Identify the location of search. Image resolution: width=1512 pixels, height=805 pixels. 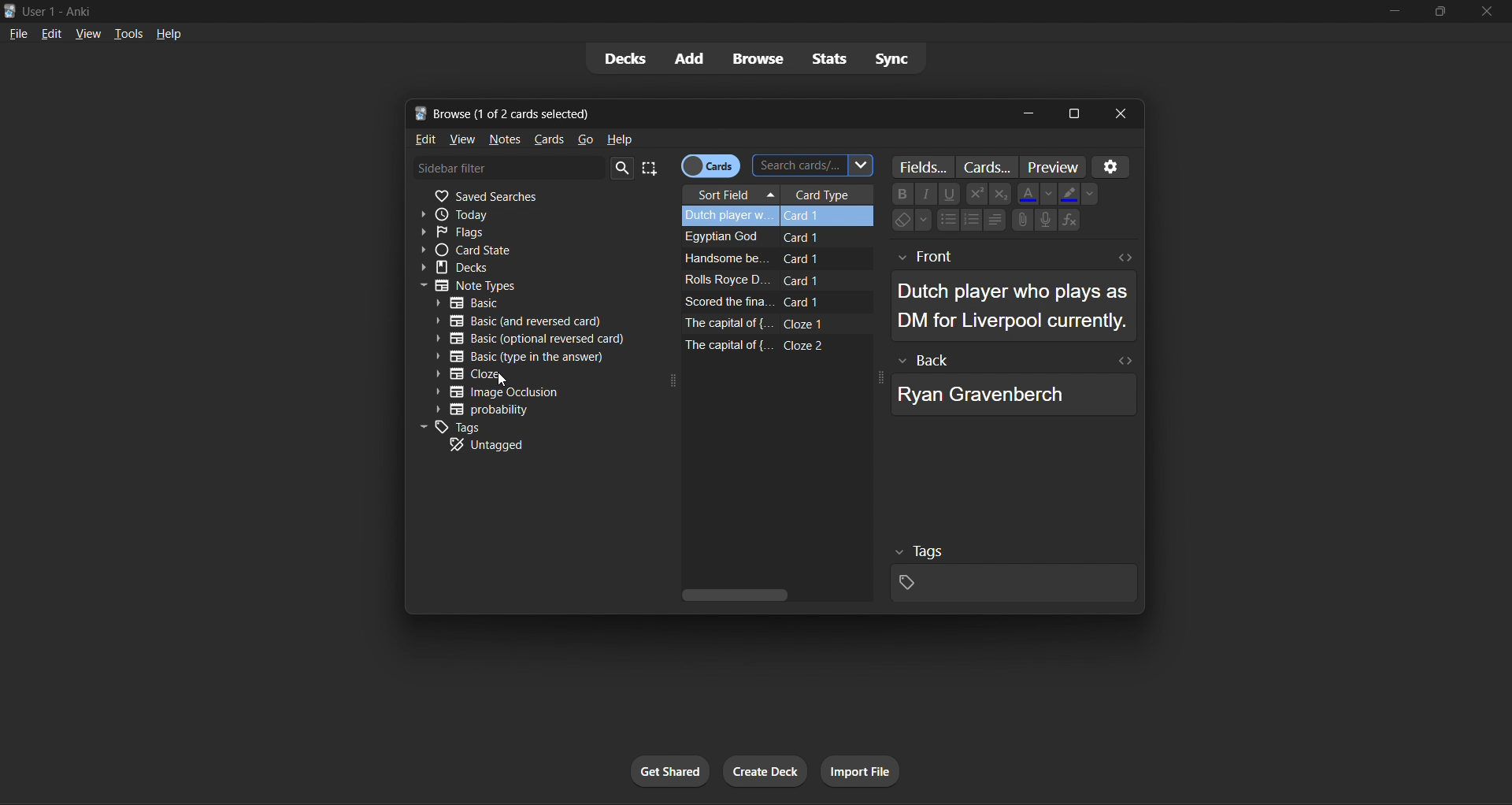
(624, 169).